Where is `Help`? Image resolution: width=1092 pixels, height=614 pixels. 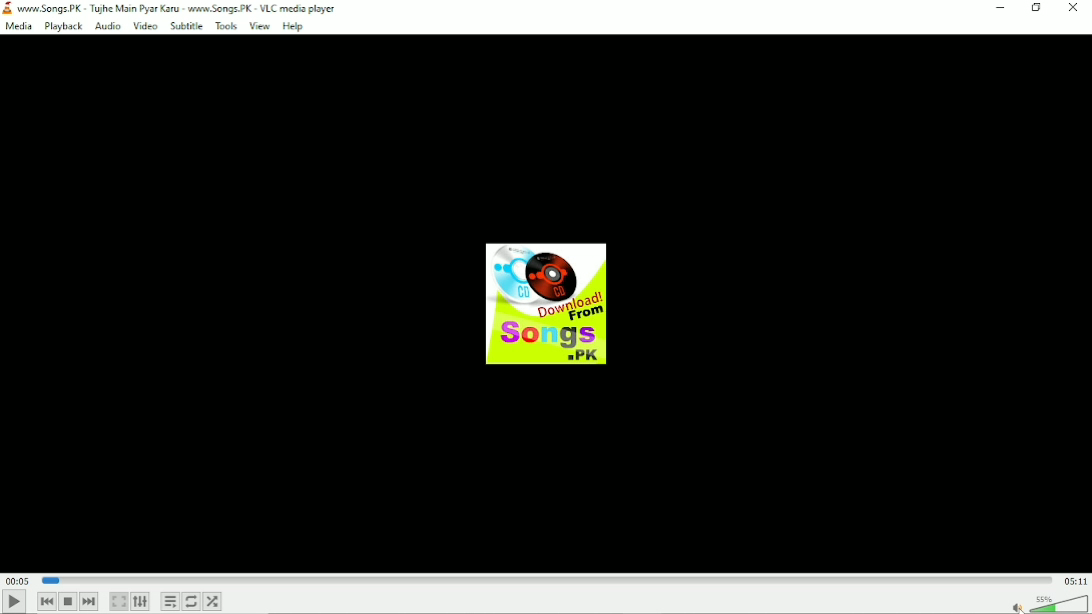 Help is located at coordinates (295, 27).